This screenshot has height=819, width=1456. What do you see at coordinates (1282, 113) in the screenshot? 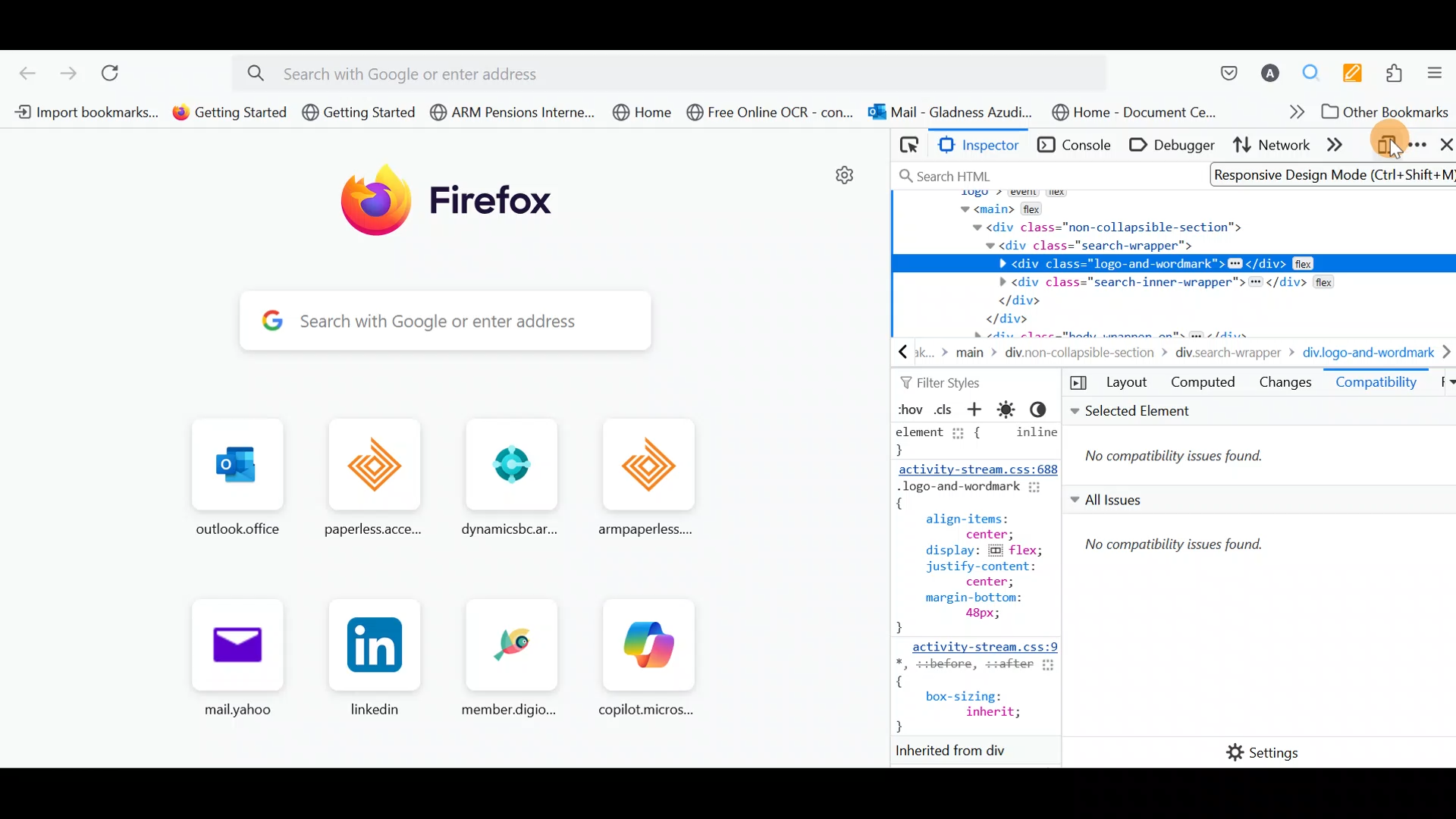
I see `Show more bookmarks` at bounding box center [1282, 113].